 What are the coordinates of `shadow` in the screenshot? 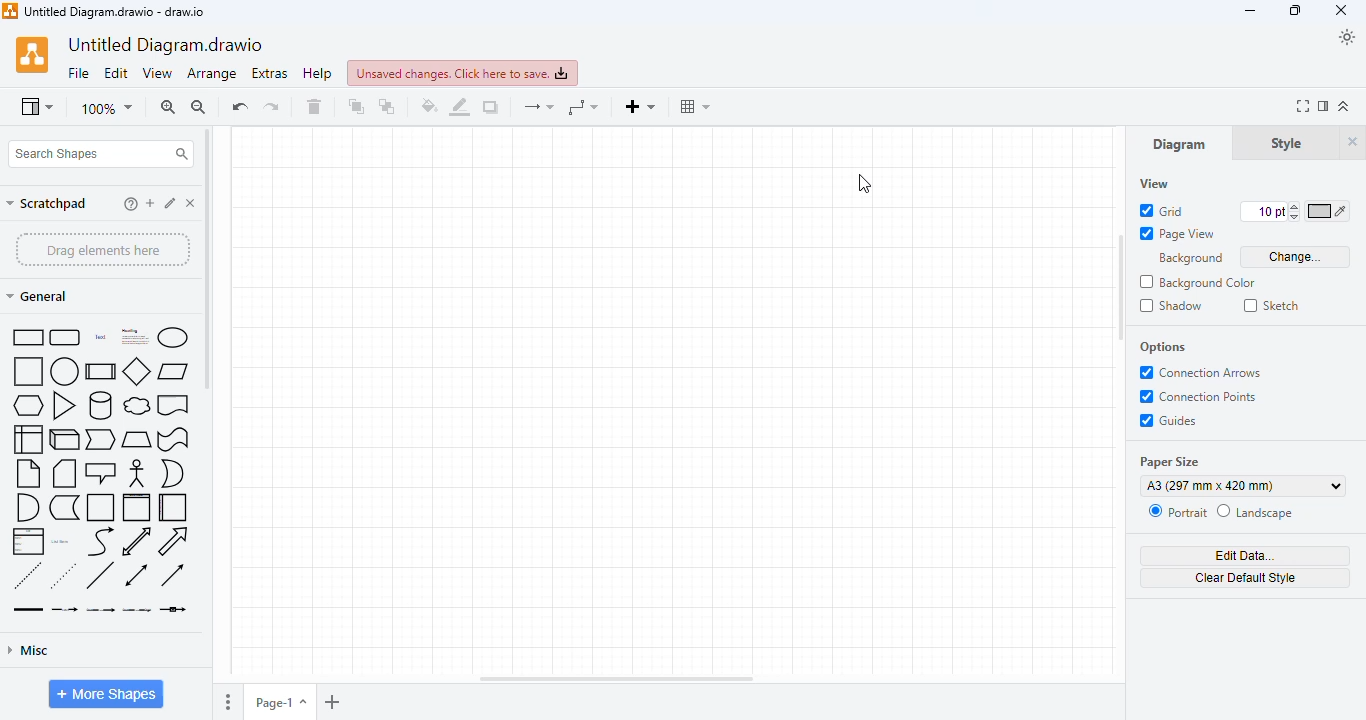 It's located at (1171, 305).